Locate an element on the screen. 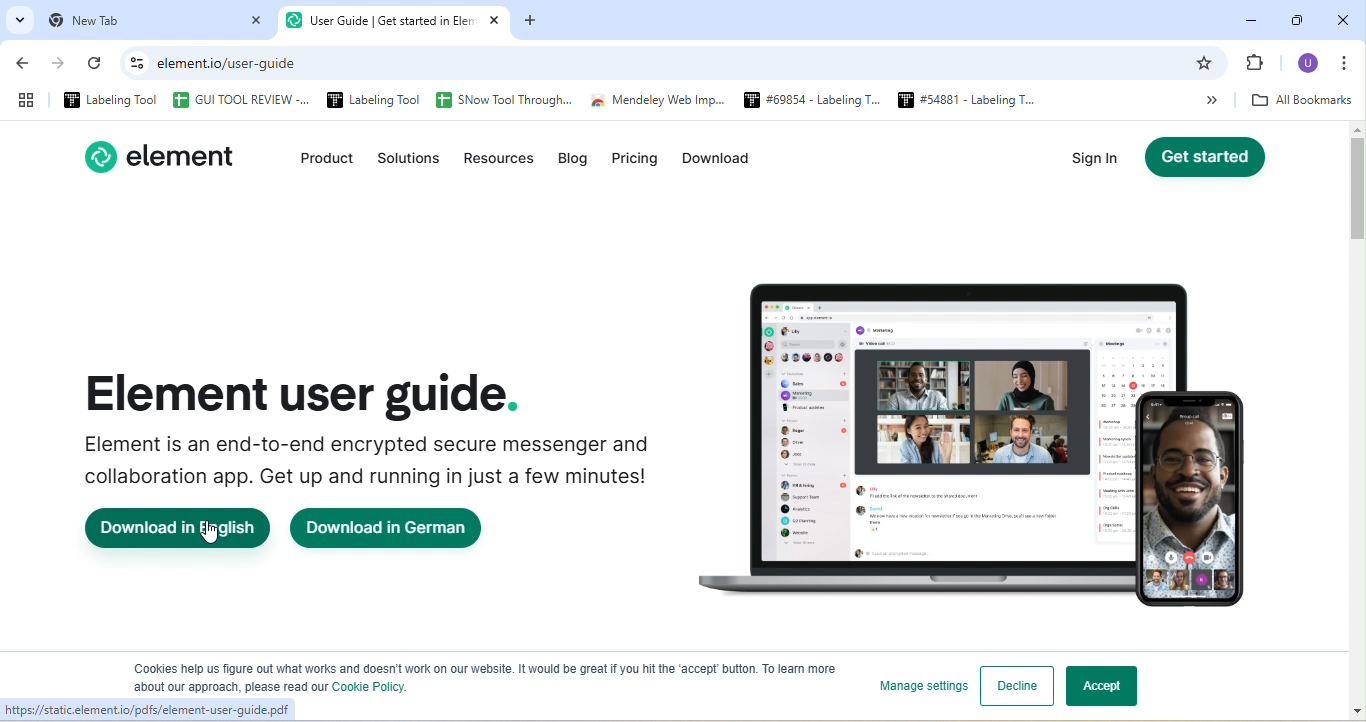 Image resolution: width=1366 pixels, height=722 pixels. Mendeley Web Imp... is located at coordinates (659, 102).